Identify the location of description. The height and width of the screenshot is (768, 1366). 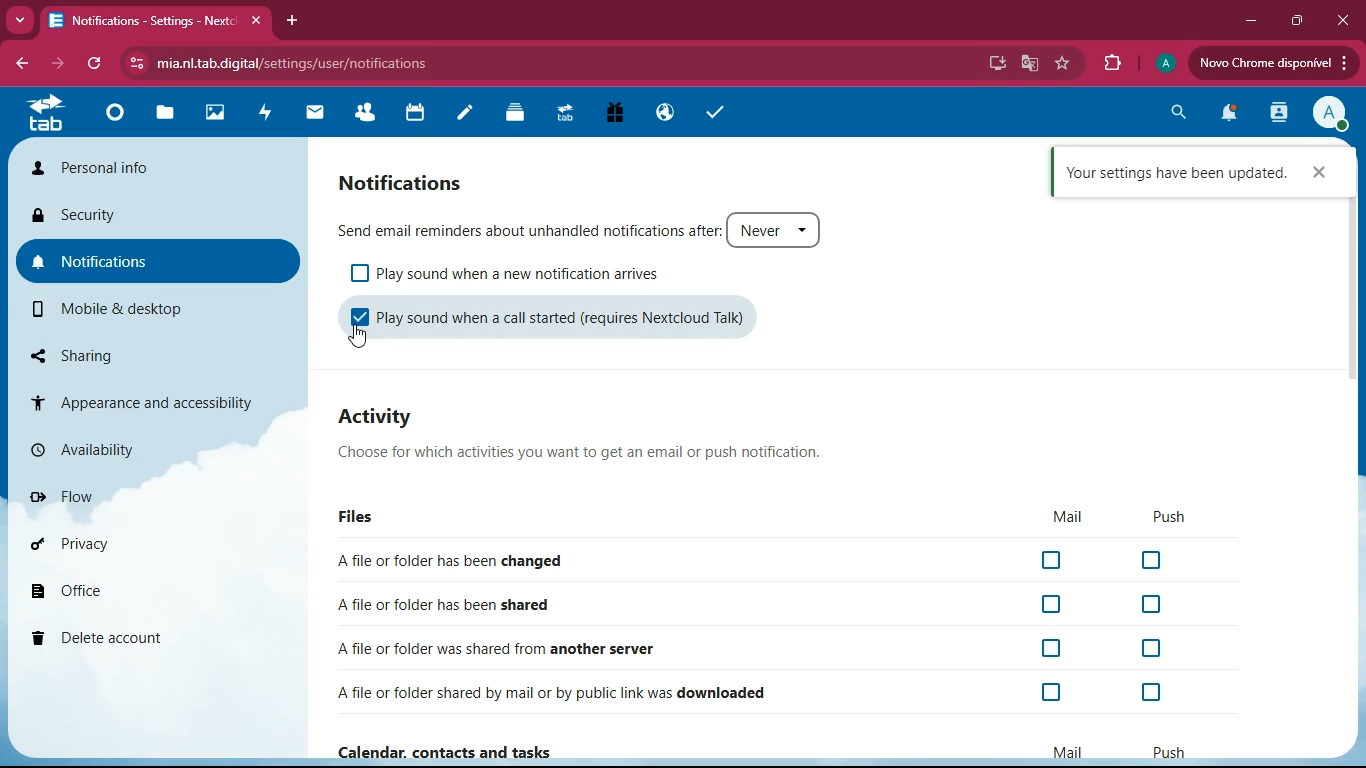
(581, 455).